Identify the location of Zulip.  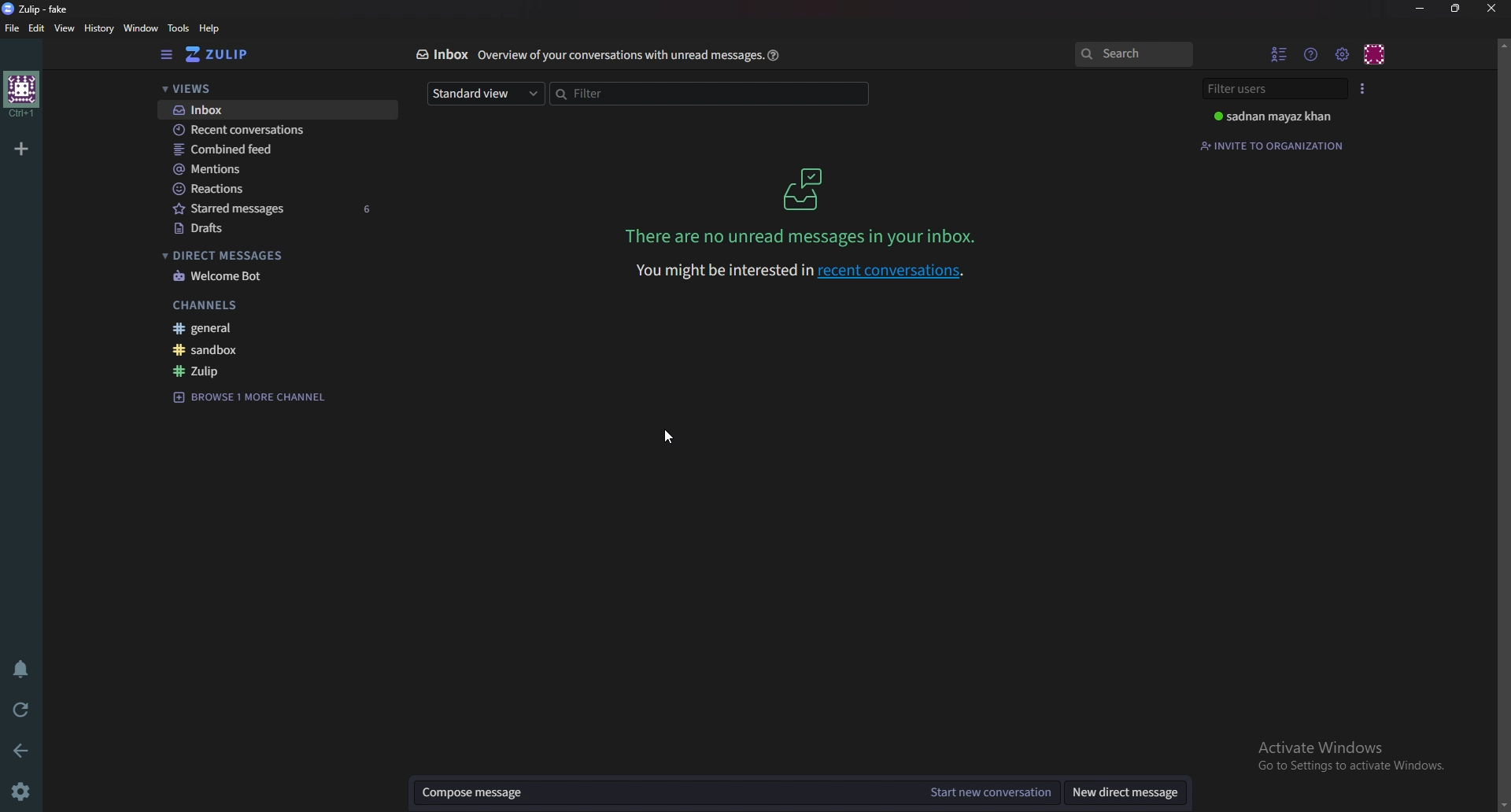
(278, 369).